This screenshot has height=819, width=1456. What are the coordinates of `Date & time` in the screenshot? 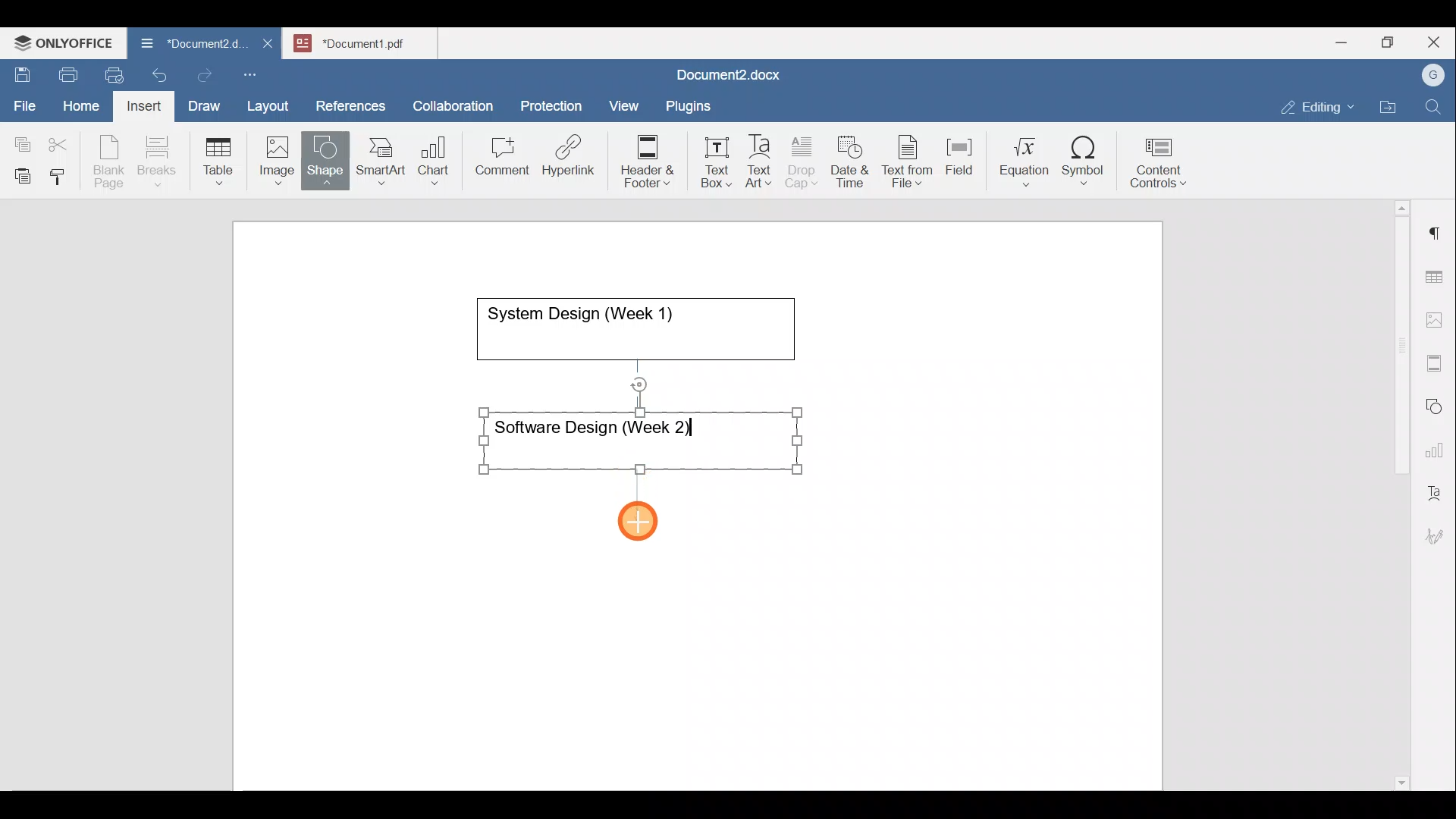 It's located at (851, 159).